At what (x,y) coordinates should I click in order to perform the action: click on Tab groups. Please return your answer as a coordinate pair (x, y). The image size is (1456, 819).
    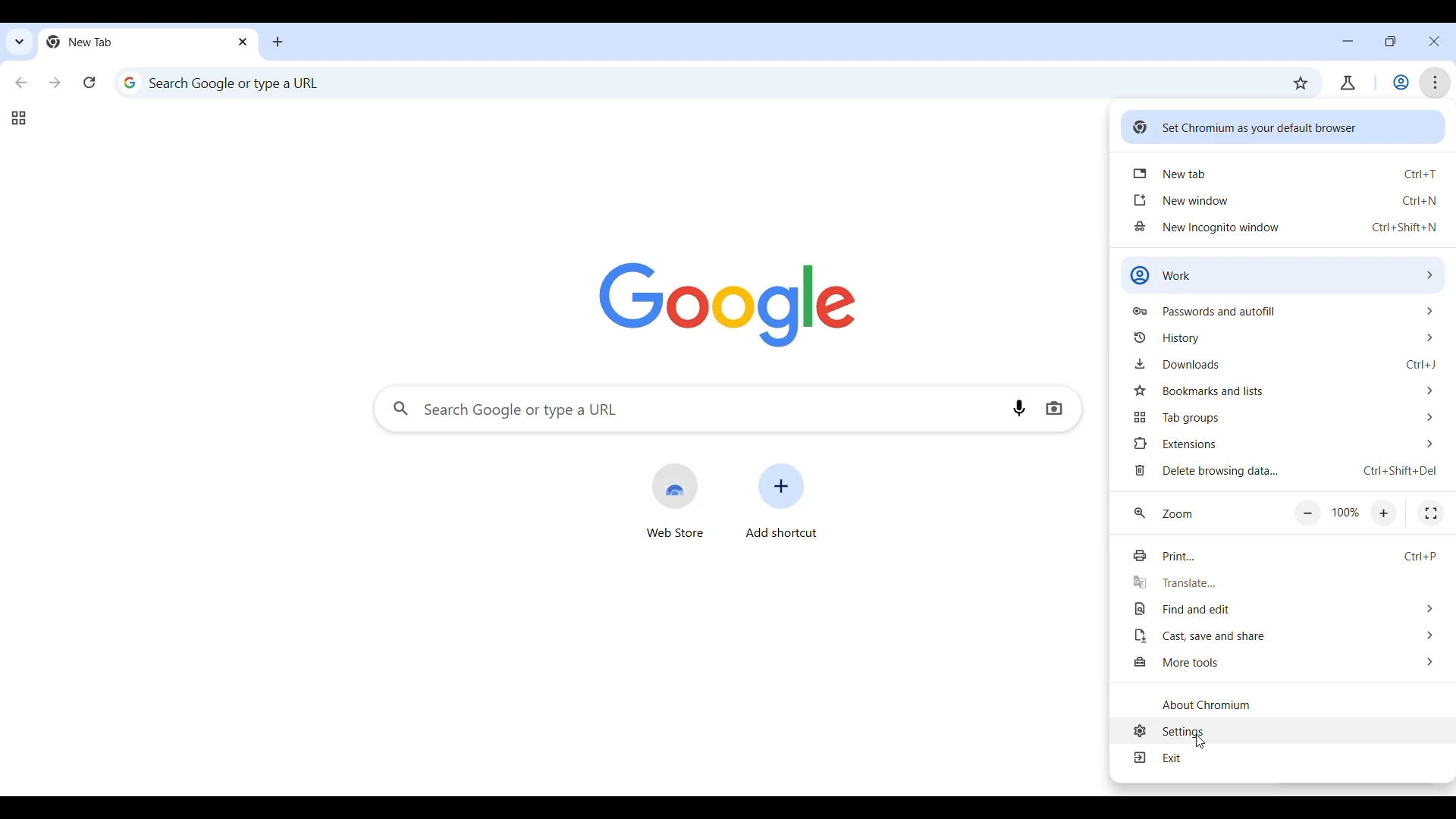
    Looking at the image, I should click on (18, 118).